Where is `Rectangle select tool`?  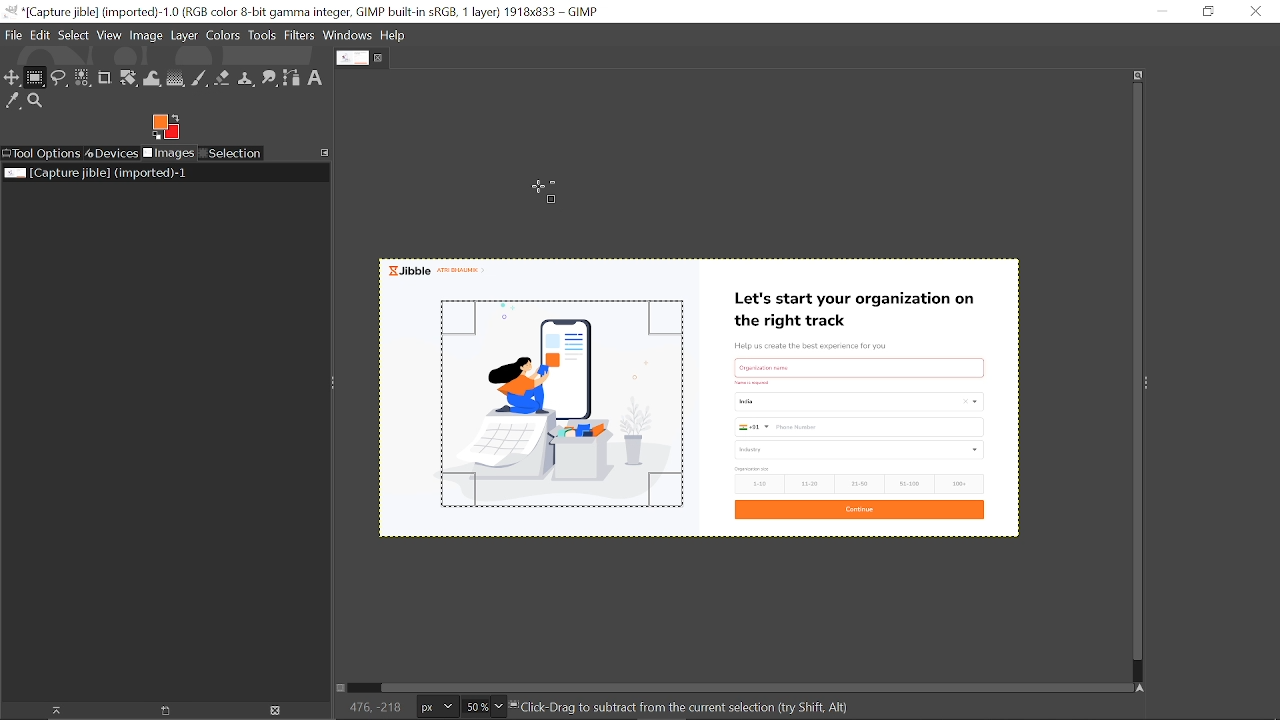 Rectangle select tool is located at coordinates (36, 79).